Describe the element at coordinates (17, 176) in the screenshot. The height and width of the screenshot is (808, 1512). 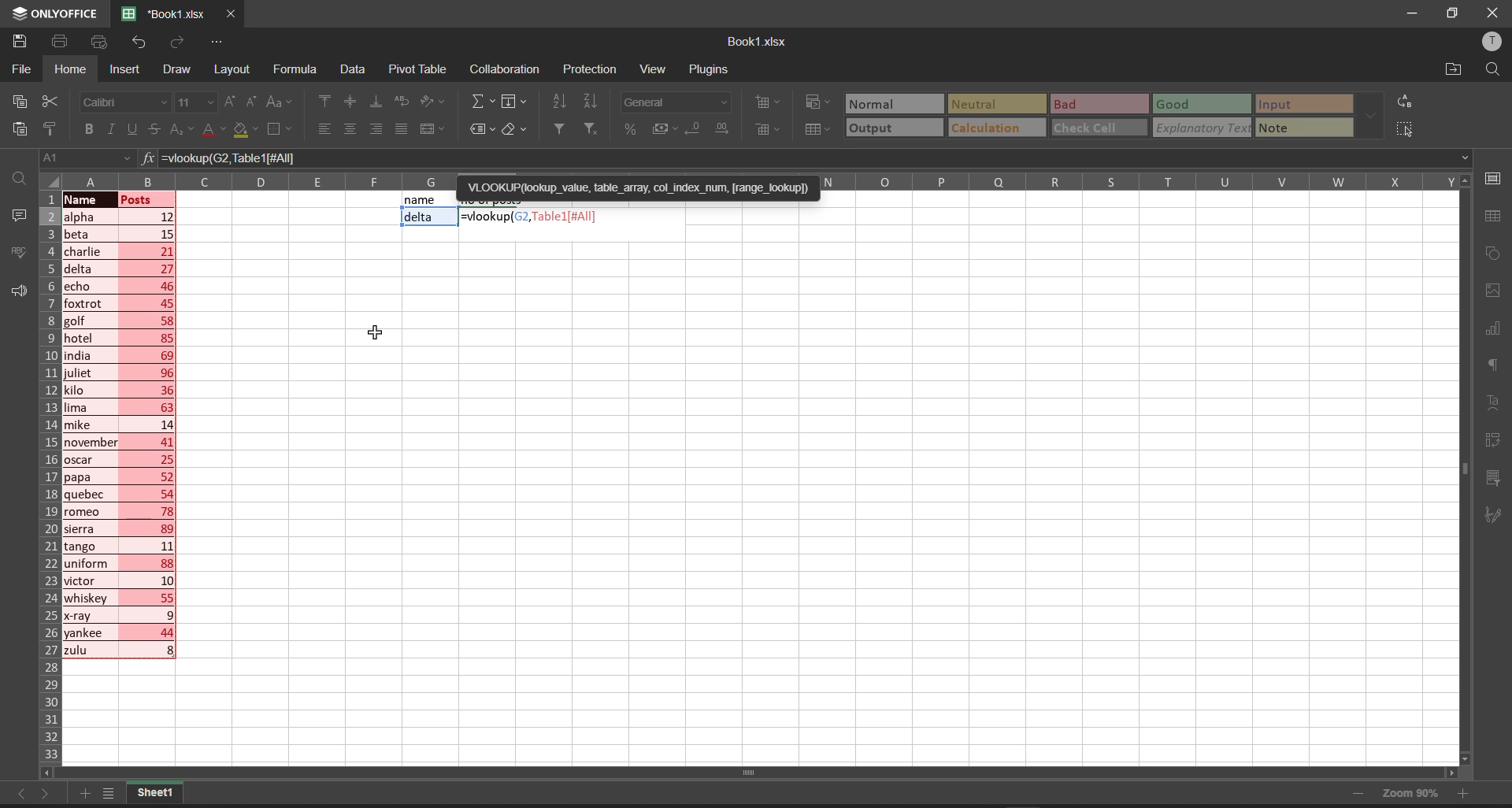
I see `find` at that location.